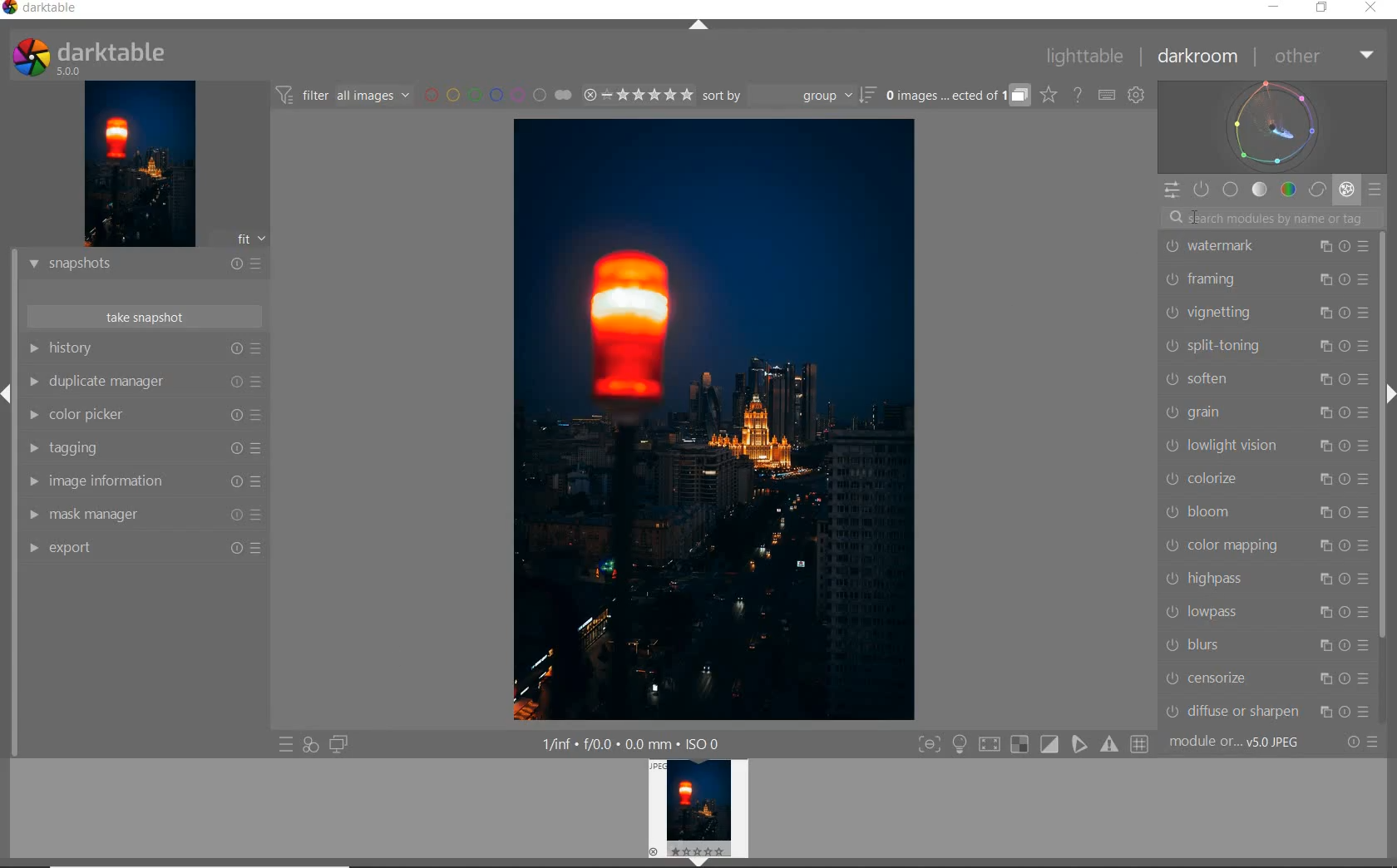  I want to click on Preset and reset, so click(1375, 712).